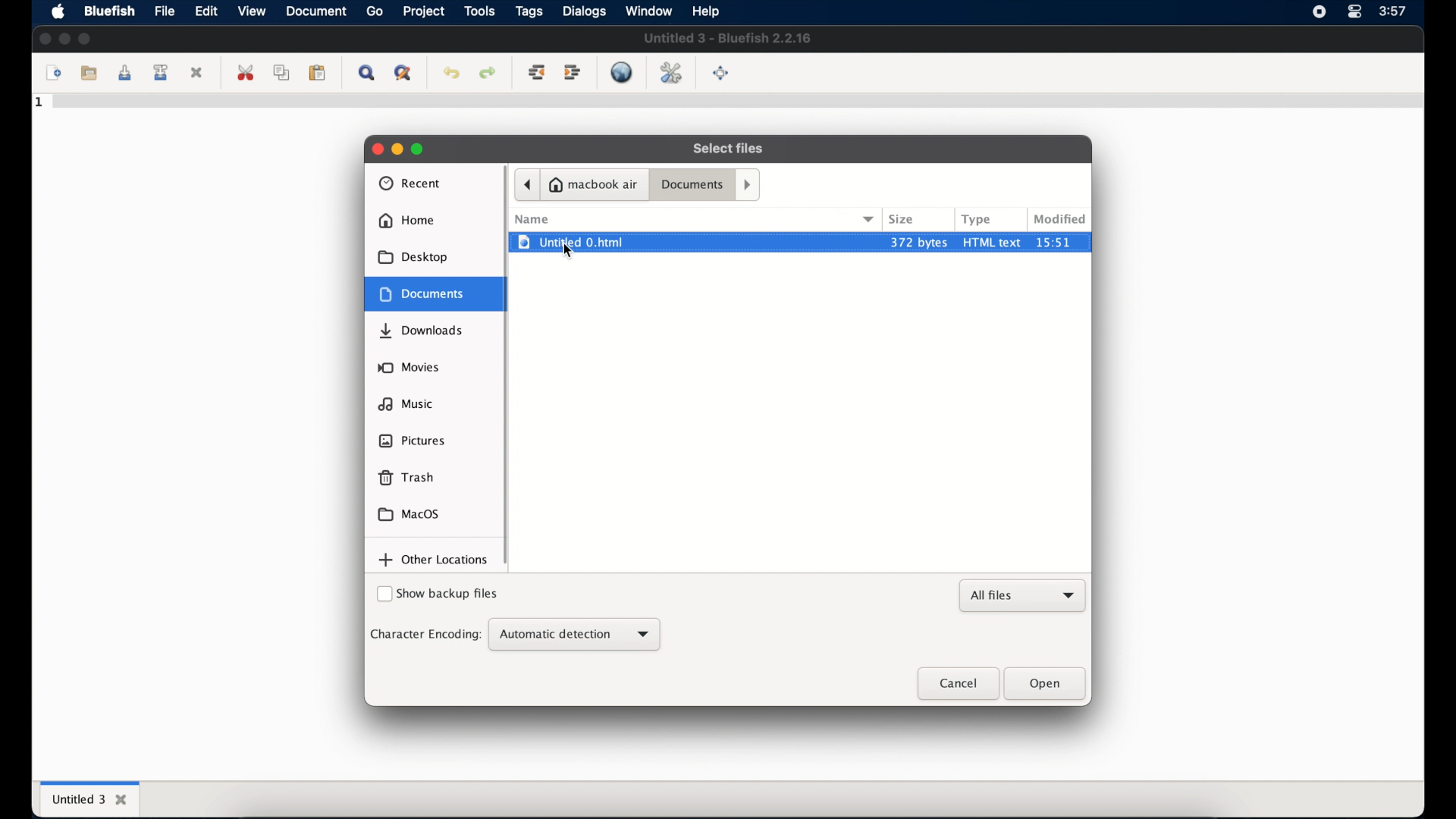 Image resolution: width=1456 pixels, height=819 pixels. What do you see at coordinates (1395, 10) in the screenshot?
I see `3:57` at bounding box center [1395, 10].